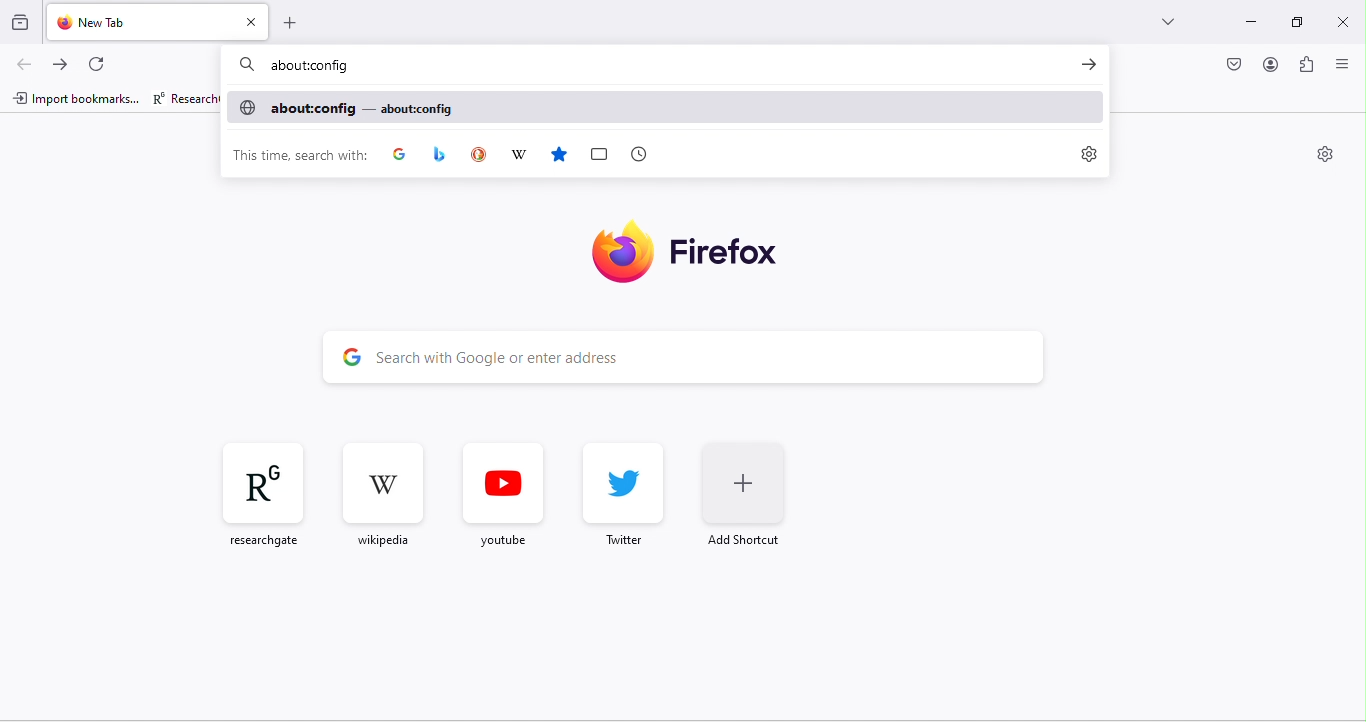  I want to click on firefox logo, so click(704, 254).